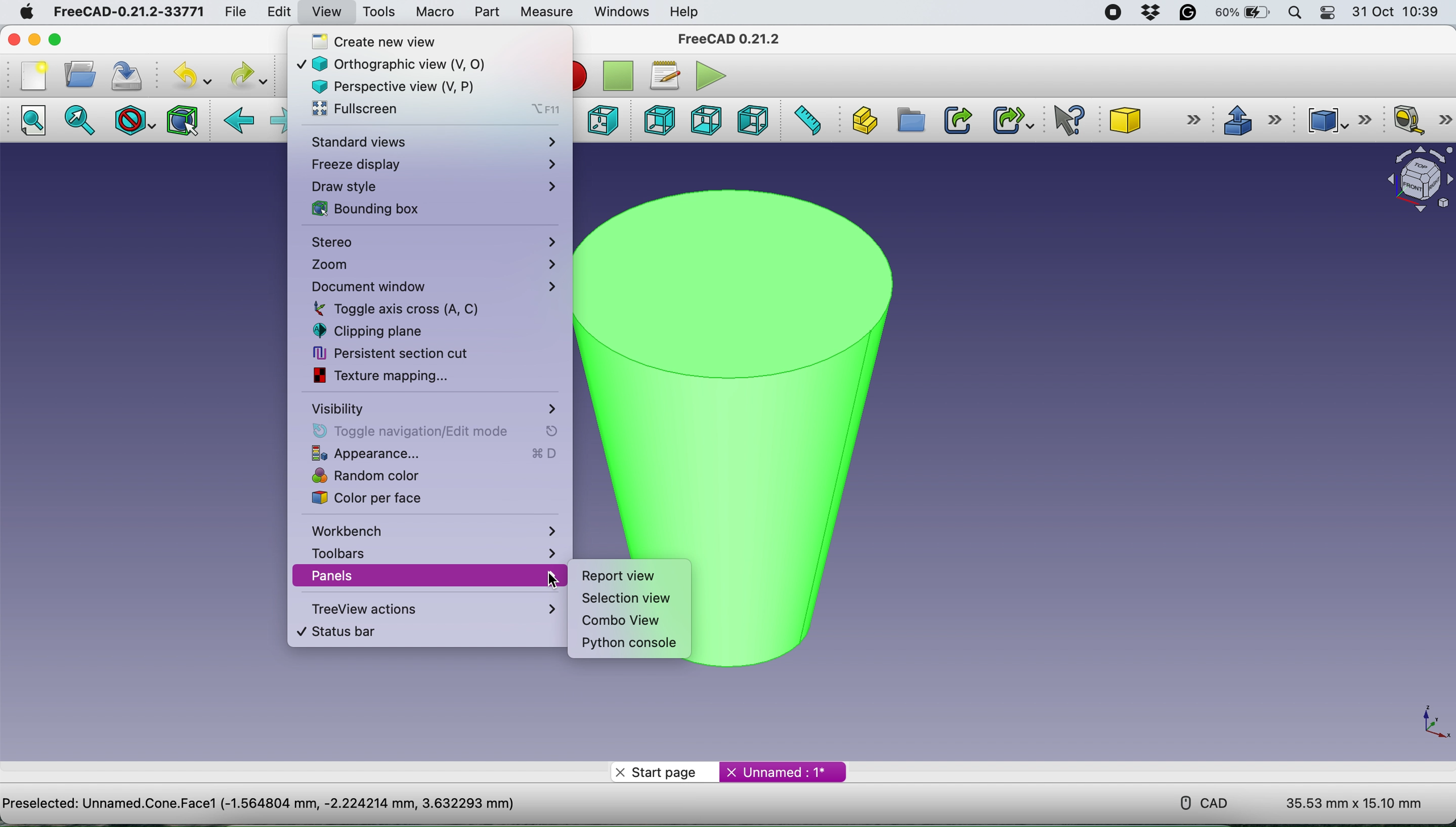 This screenshot has width=1456, height=827. I want to click on standard views, so click(433, 143).